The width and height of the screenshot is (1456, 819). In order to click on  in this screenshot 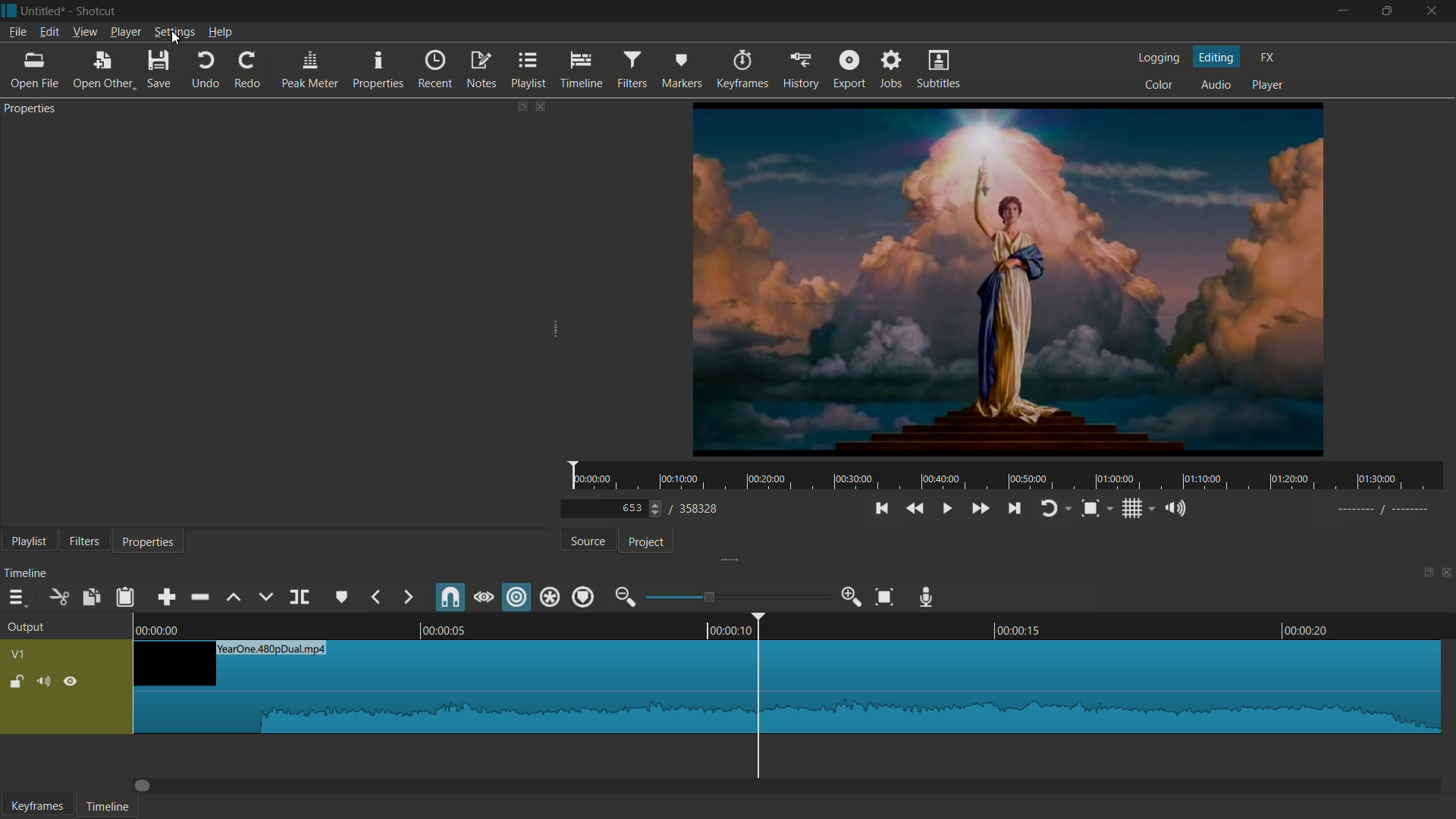, I will do `click(645, 543)`.